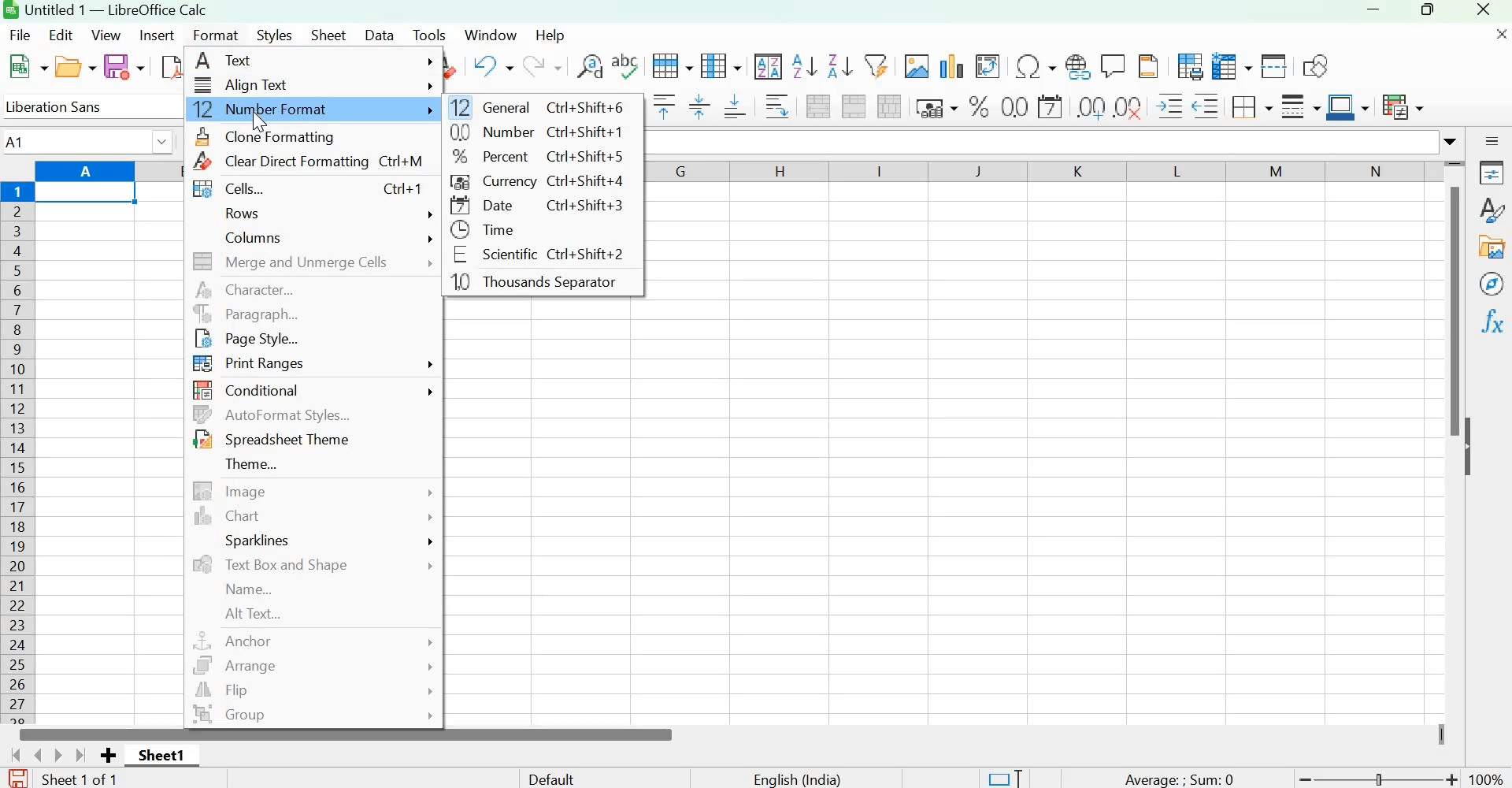 The height and width of the screenshot is (788, 1512). I want to click on Redo, so click(542, 67).